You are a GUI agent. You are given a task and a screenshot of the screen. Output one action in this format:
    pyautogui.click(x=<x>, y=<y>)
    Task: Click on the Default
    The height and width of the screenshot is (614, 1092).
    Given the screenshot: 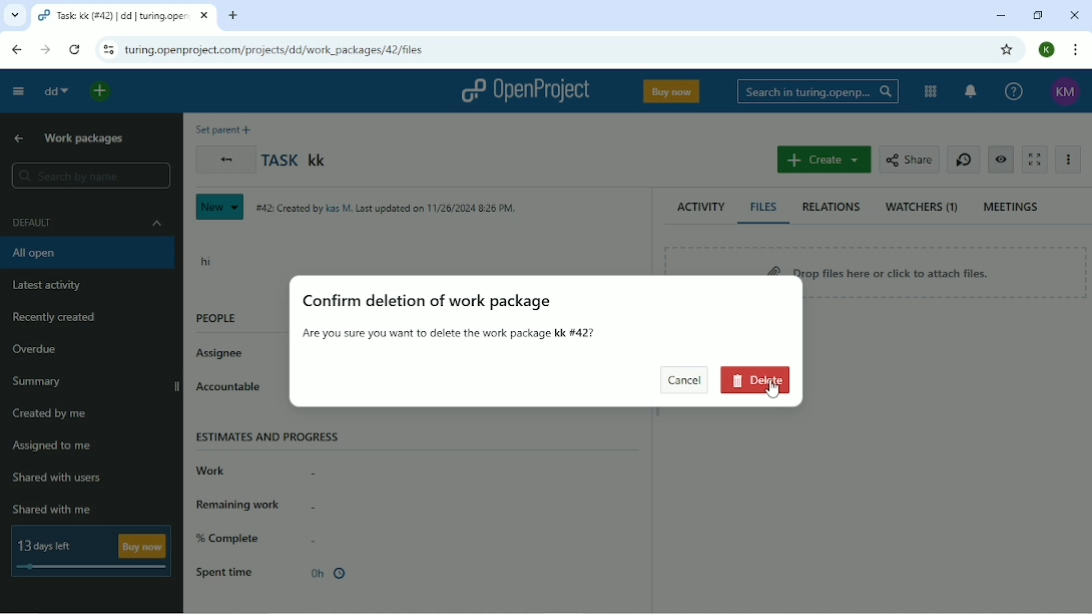 What is the action you would take?
    pyautogui.click(x=87, y=223)
    